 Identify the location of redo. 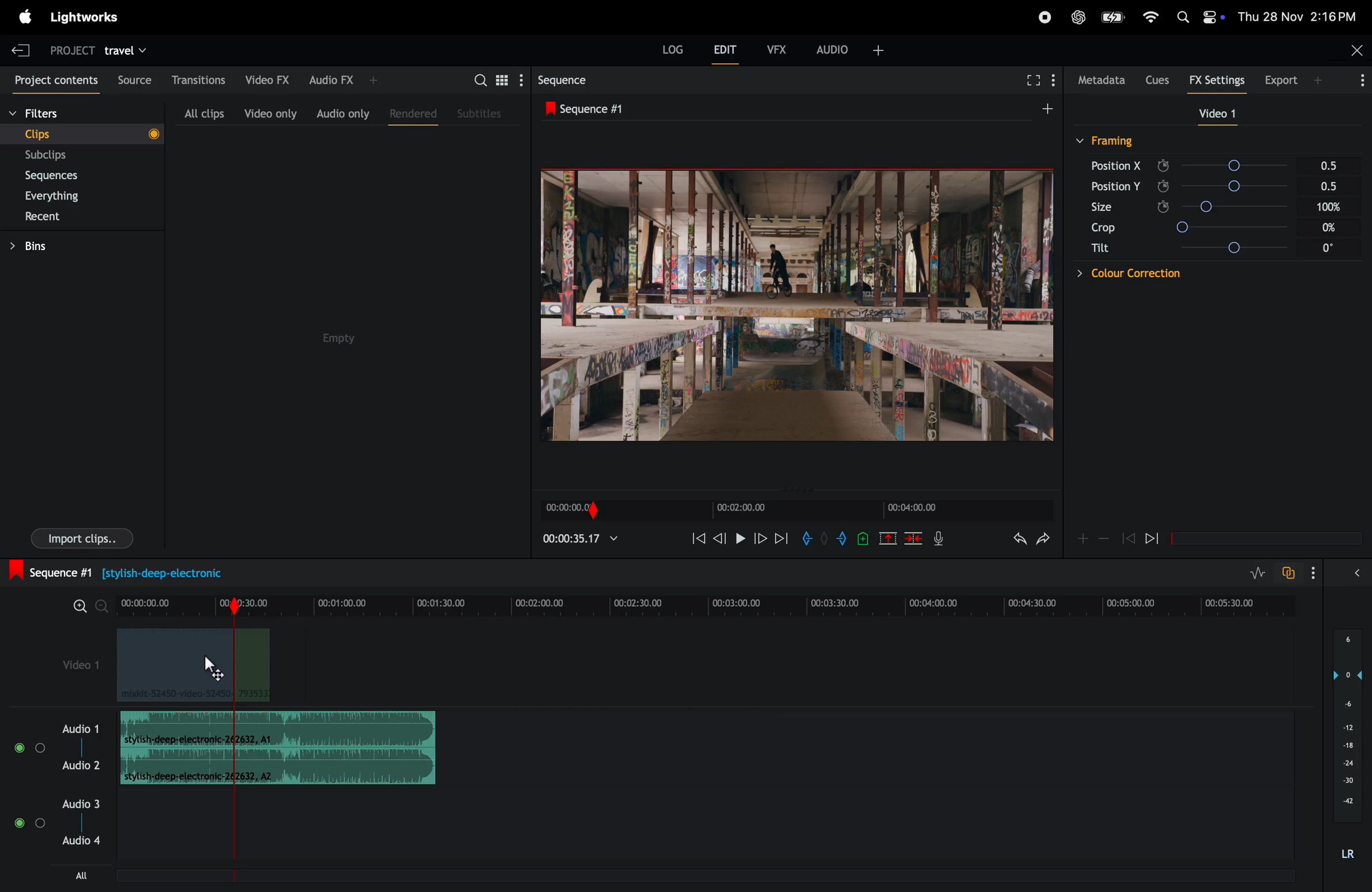
(1016, 540).